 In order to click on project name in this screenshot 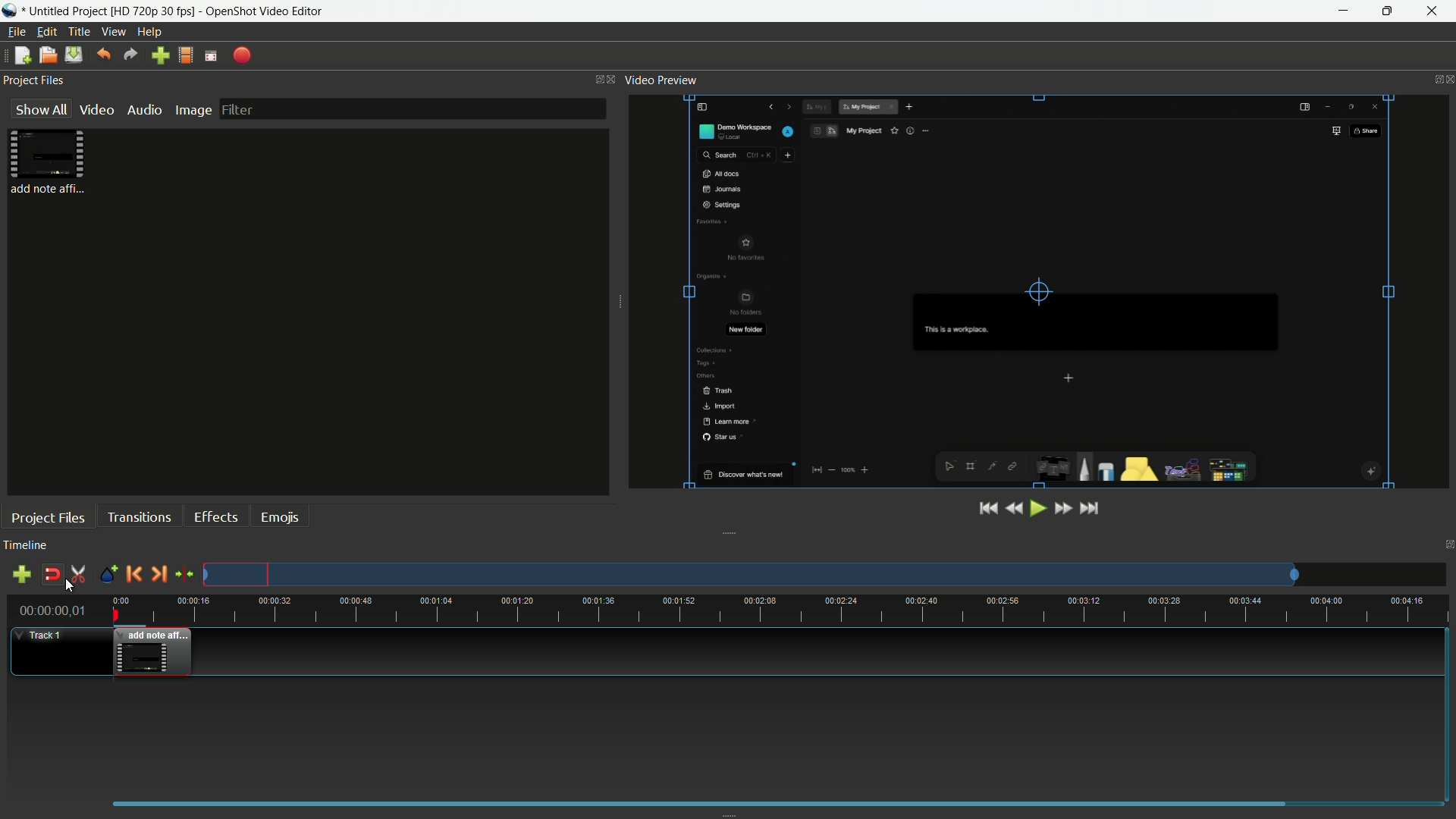, I will do `click(111, 11)`.